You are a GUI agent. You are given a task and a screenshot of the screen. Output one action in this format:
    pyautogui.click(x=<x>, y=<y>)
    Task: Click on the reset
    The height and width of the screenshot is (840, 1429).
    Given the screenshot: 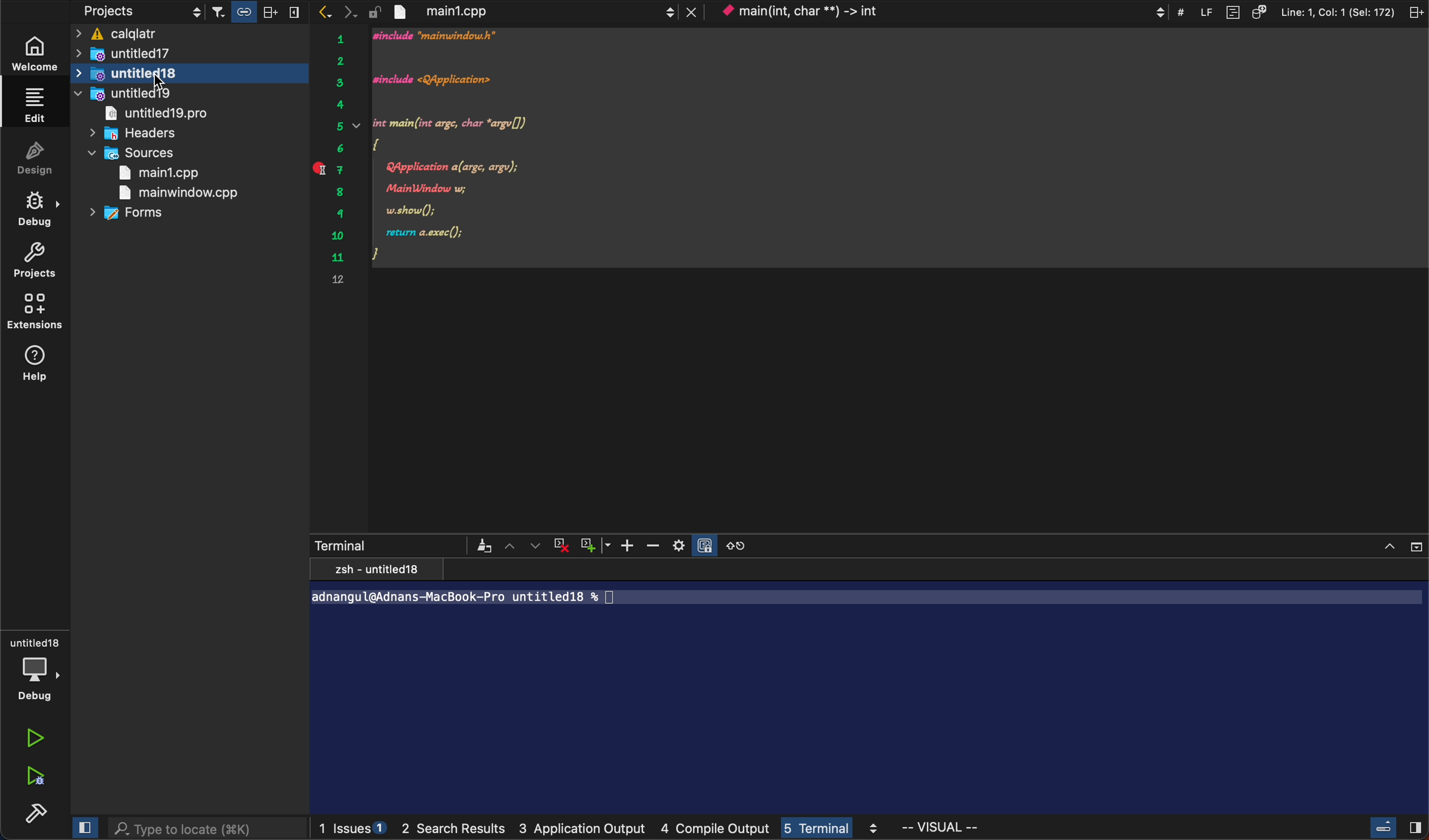 What is the action you would take?
    pyautogui.click(x=746, y=545)
    